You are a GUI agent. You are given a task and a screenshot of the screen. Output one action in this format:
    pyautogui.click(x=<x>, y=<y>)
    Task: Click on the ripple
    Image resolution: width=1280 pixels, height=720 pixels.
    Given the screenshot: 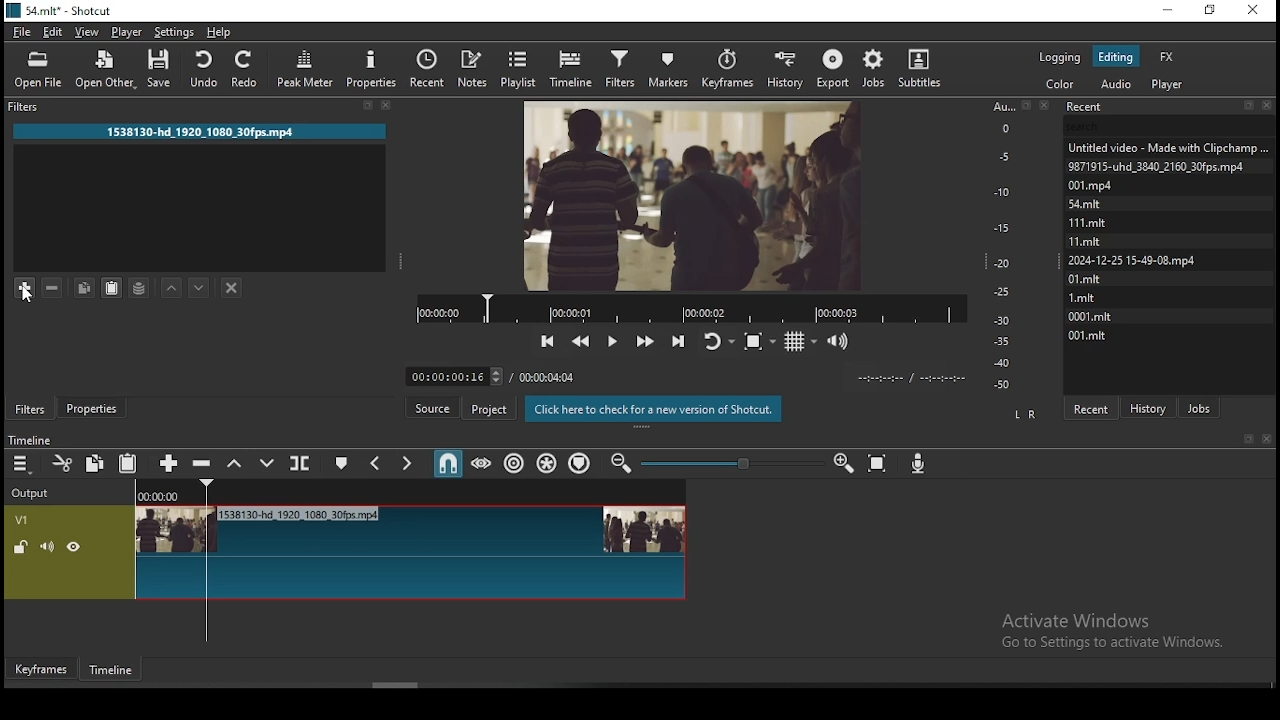 What is the action you would take?
    pyautogui.click(x=516, y=465)
    